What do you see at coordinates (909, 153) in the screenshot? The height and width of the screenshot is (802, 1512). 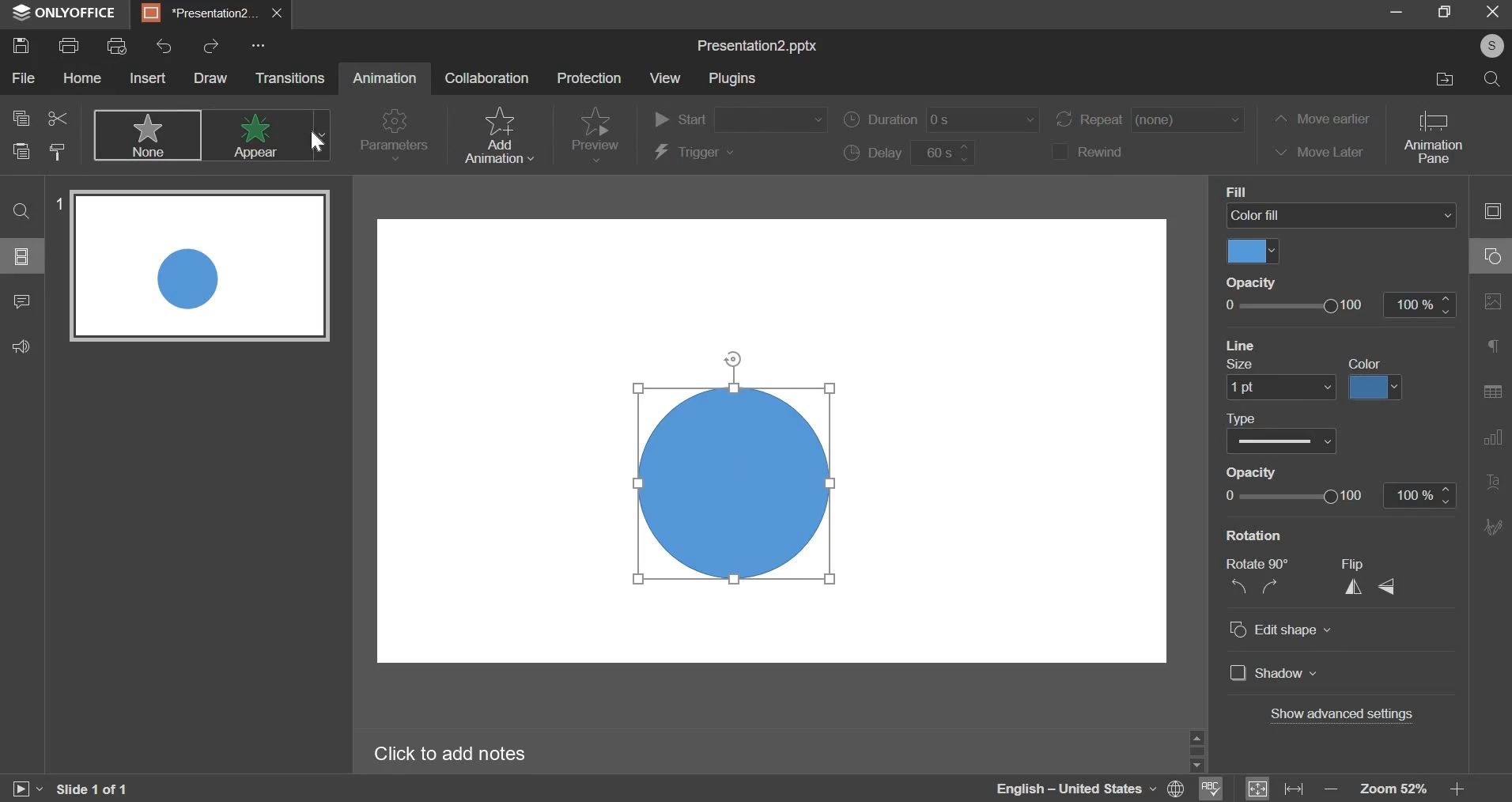 I see `delay` at bounding box center [909, 153].